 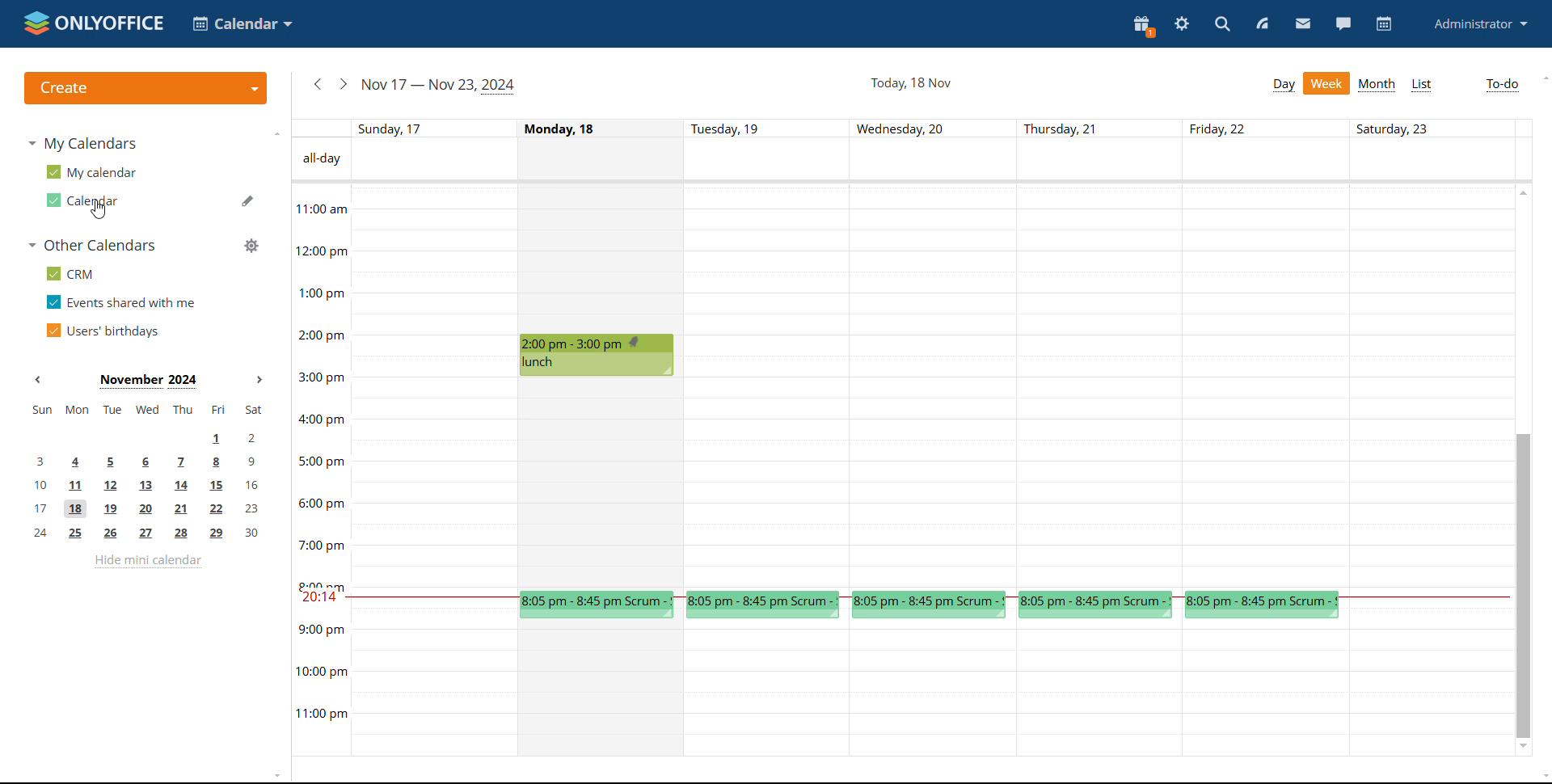 What do you see at coordinates (1542, 78) in the screenshot?
I see `scroll up` at bounding box center [1542, 78].